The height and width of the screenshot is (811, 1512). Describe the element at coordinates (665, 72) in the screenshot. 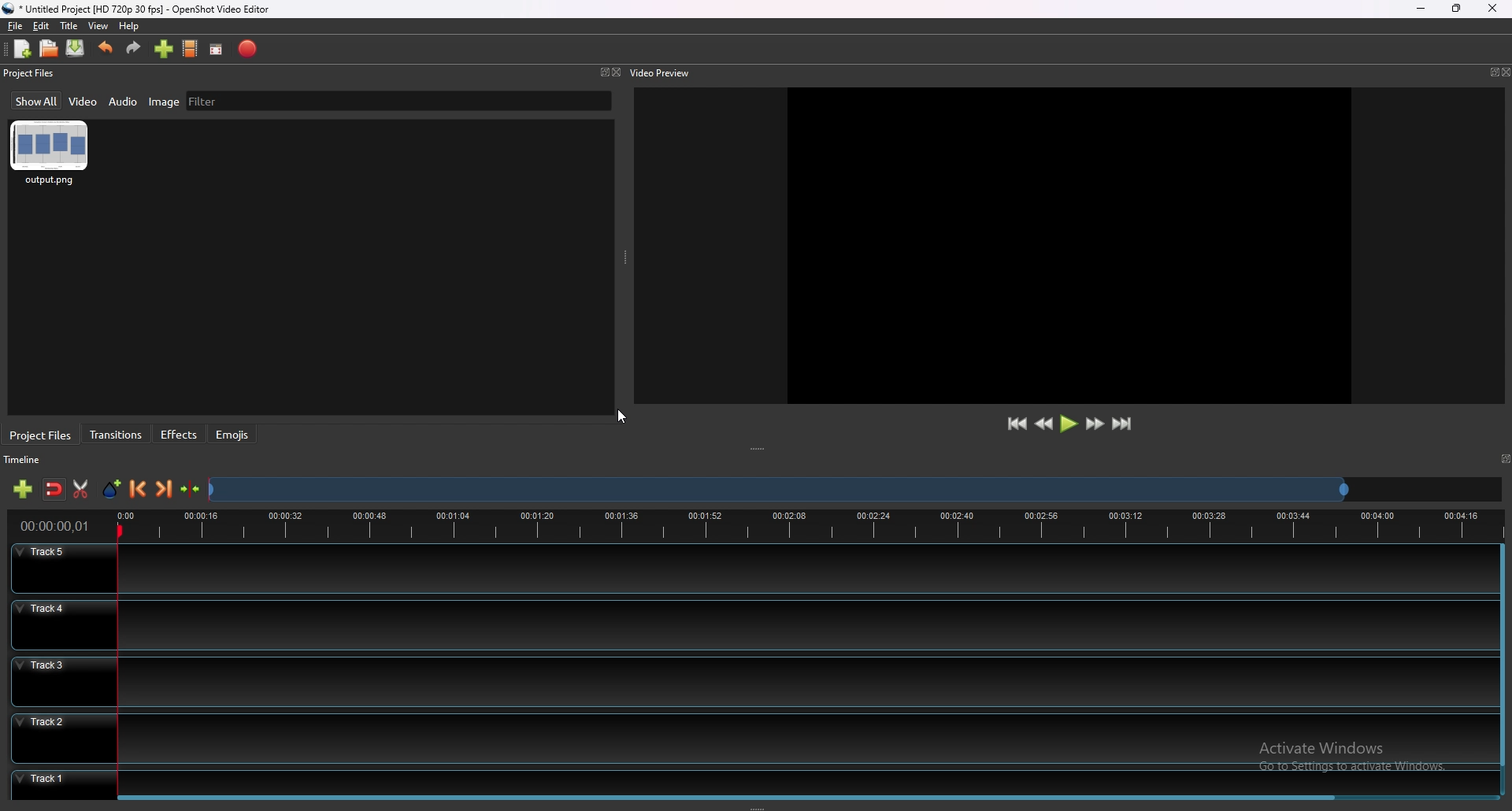

I see `video preview` at that location.